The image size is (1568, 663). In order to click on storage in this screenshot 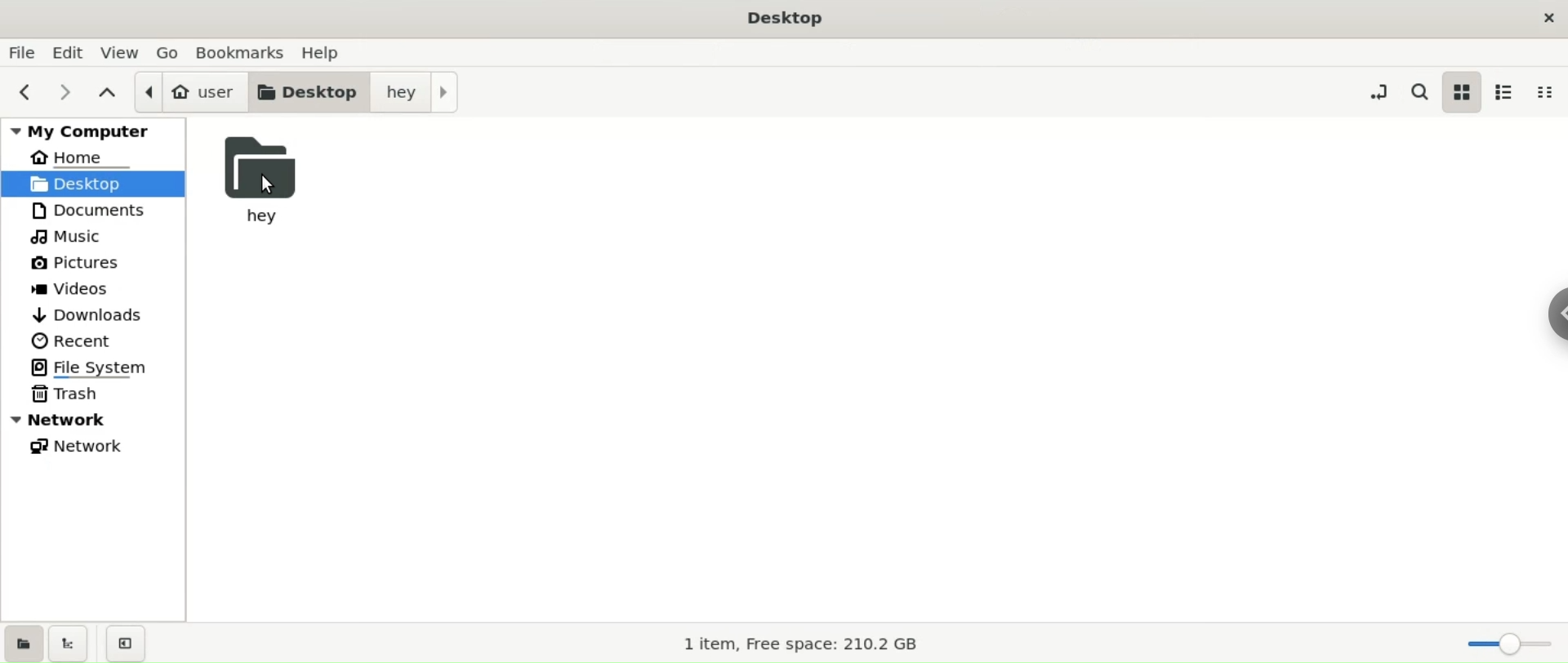, I will do `click(819, 643)`.